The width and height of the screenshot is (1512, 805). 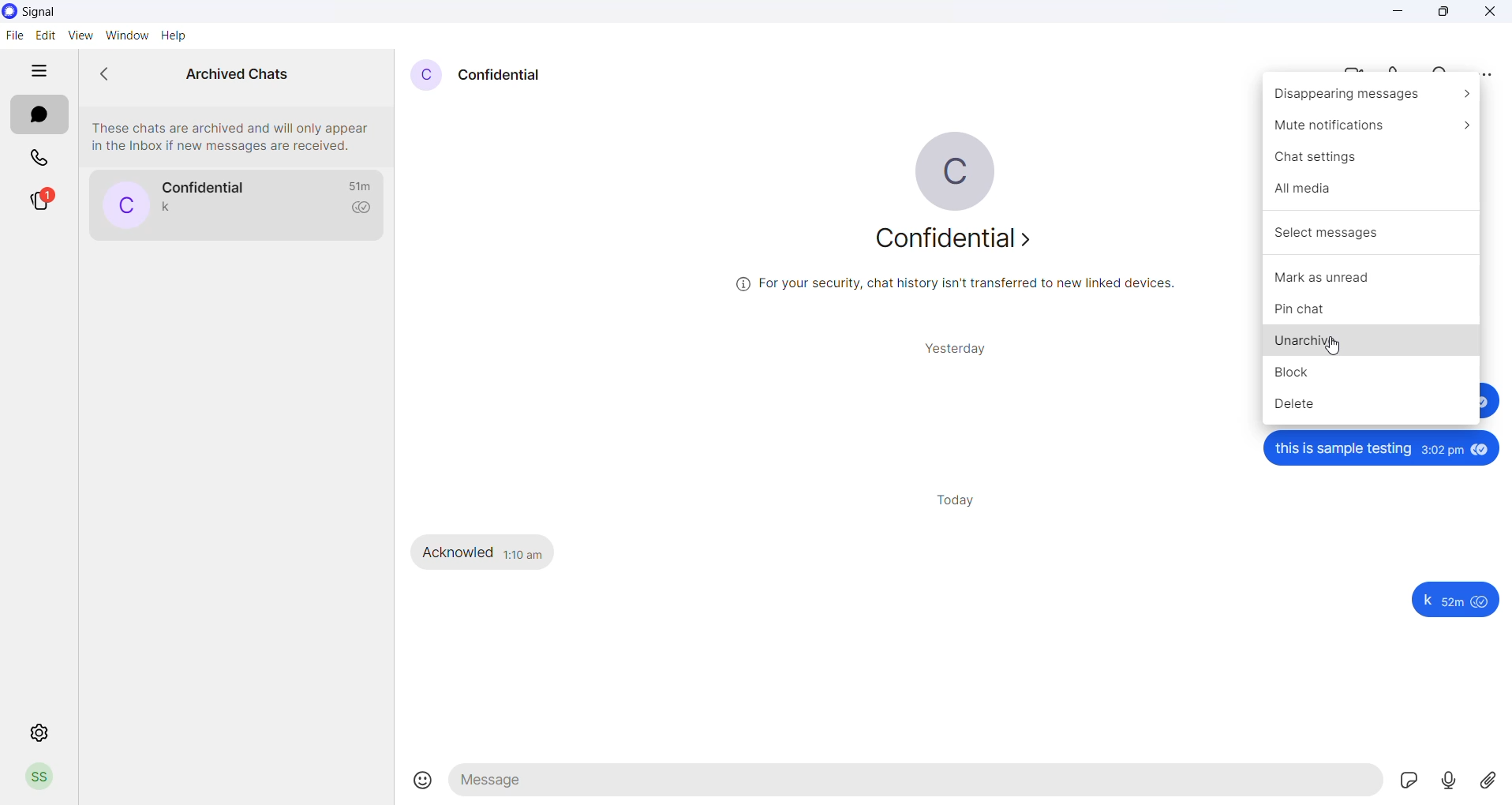 What do you see at coordinates (511, 77) in the screenshot?
I see `contact name` at bounding box center [511, 77].